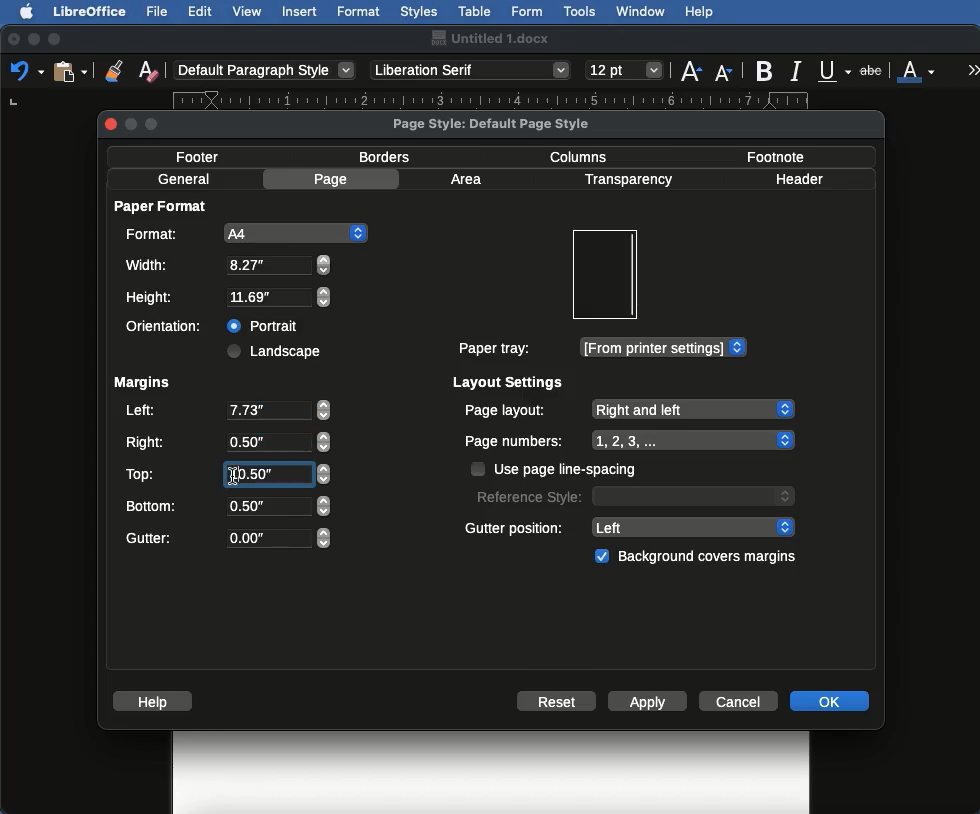  Describe the element at coordinates (159, 11) in the screenshot. I see `File` at that location.